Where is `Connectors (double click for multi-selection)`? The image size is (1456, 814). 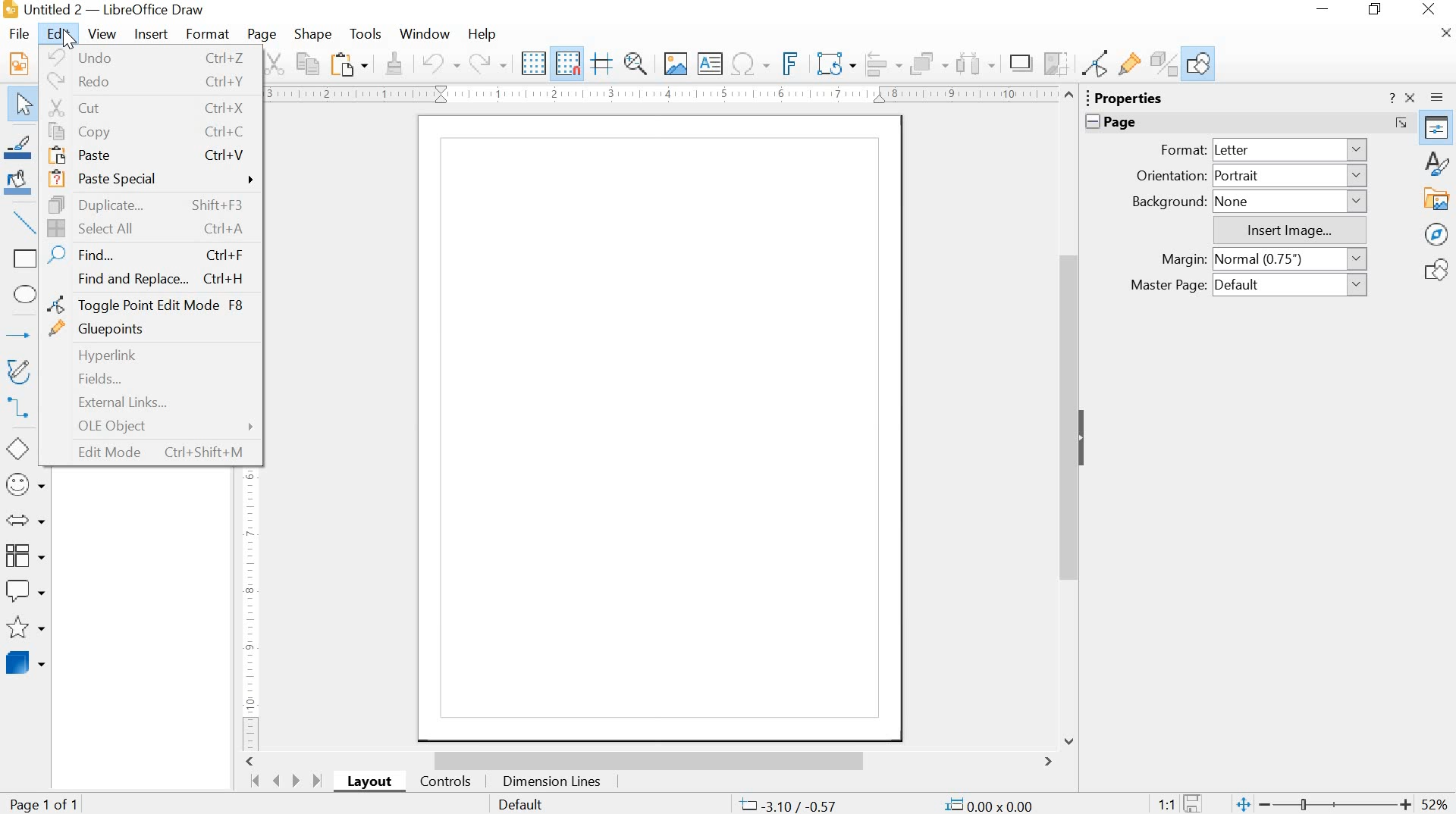 Connectors (double click for multi-selection) is located at coordinates (24, 407).